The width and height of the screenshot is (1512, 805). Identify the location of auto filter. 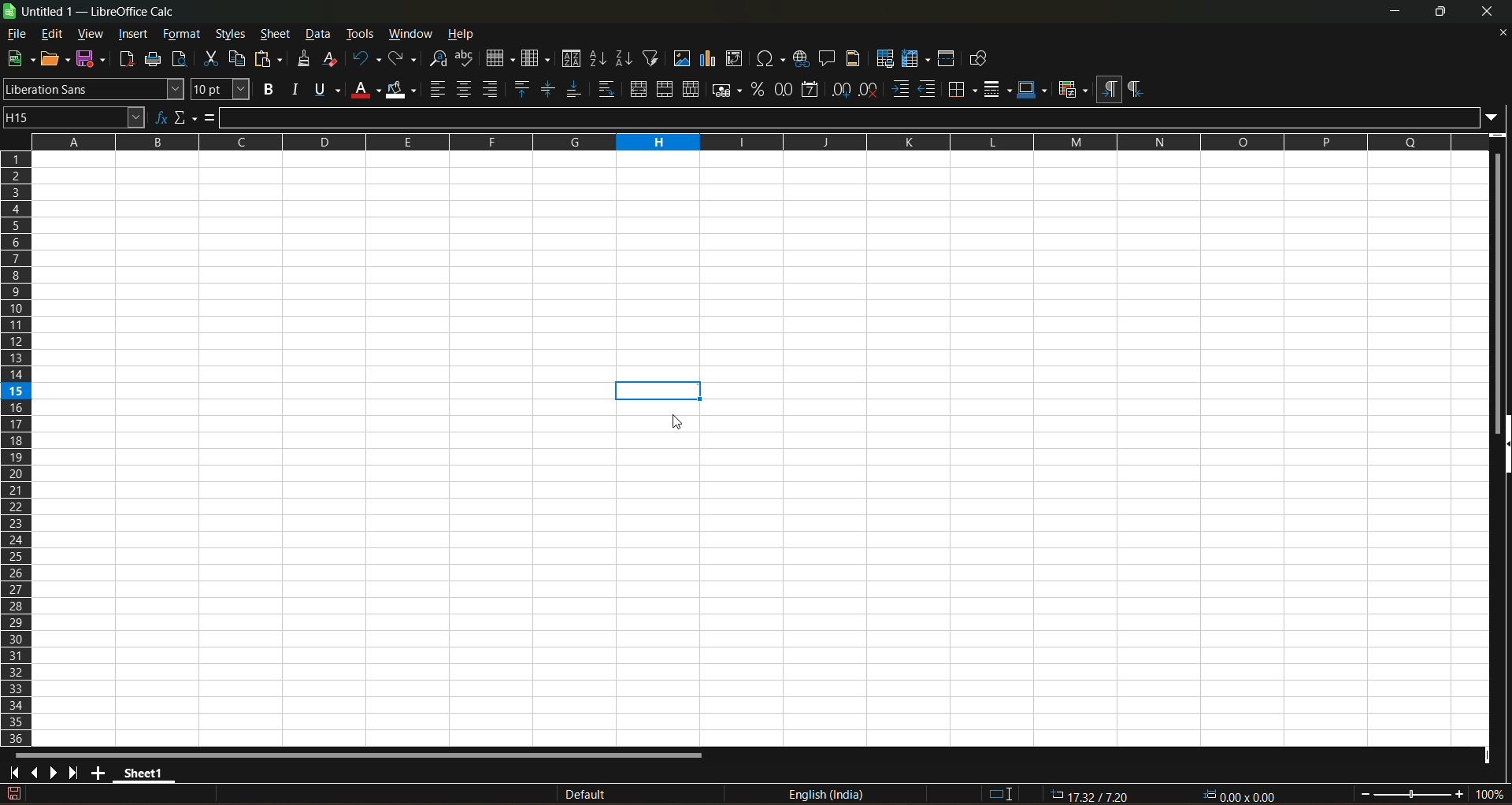
(651, 59).